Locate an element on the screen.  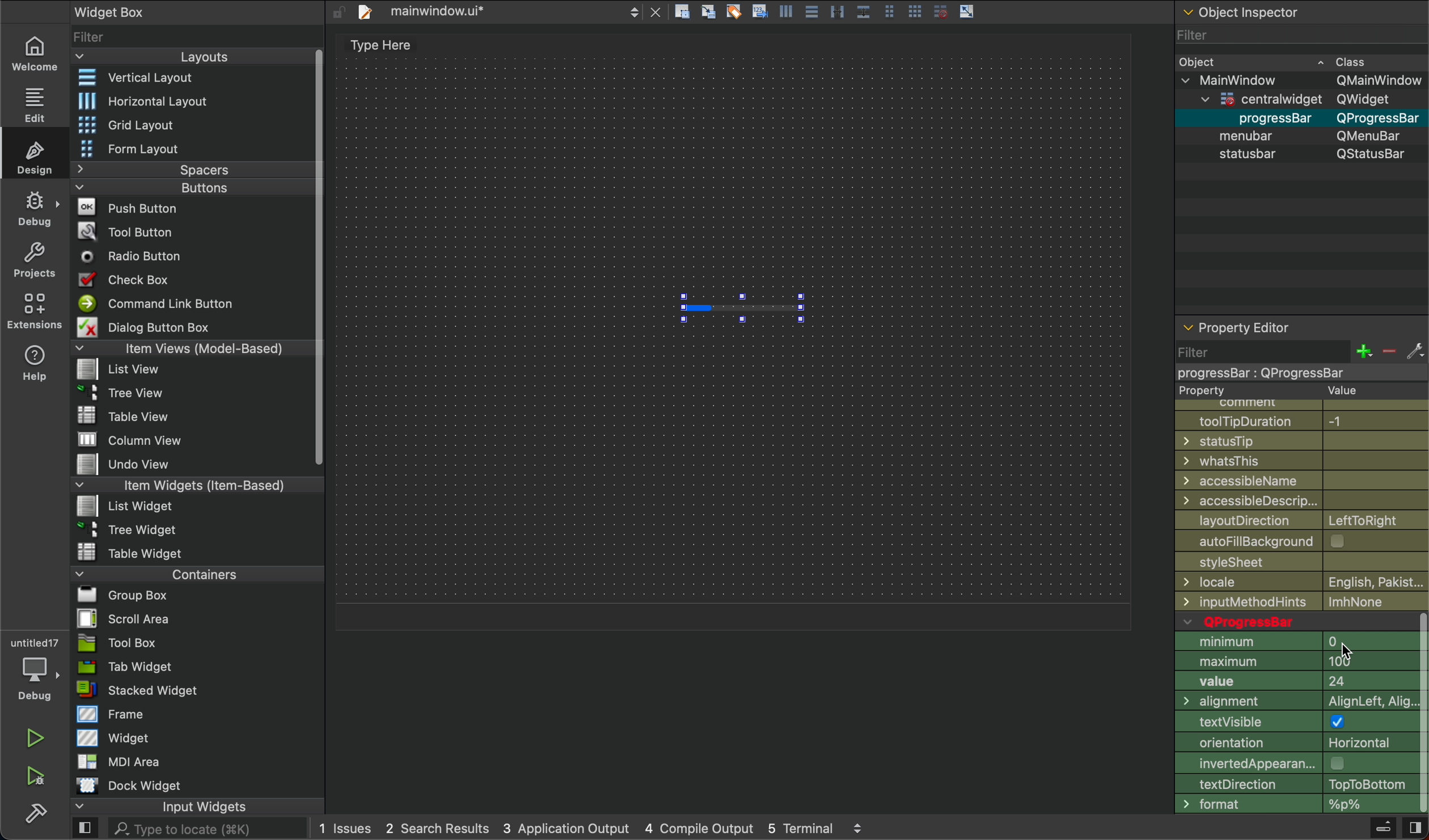
Tool Button is located at coordinates (135, 230).